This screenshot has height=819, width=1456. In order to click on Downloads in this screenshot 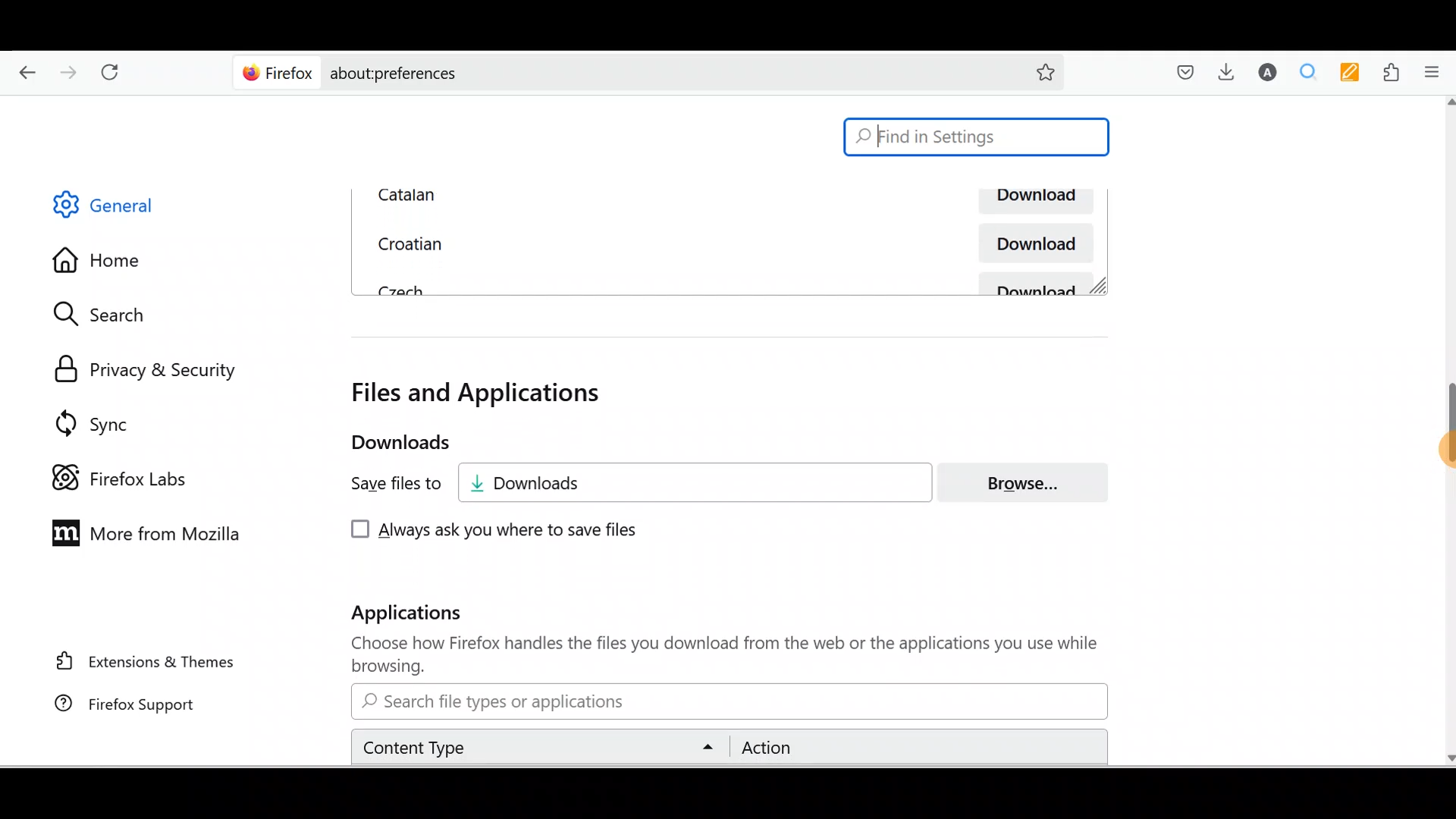, I will do `click(1231, 75)`.